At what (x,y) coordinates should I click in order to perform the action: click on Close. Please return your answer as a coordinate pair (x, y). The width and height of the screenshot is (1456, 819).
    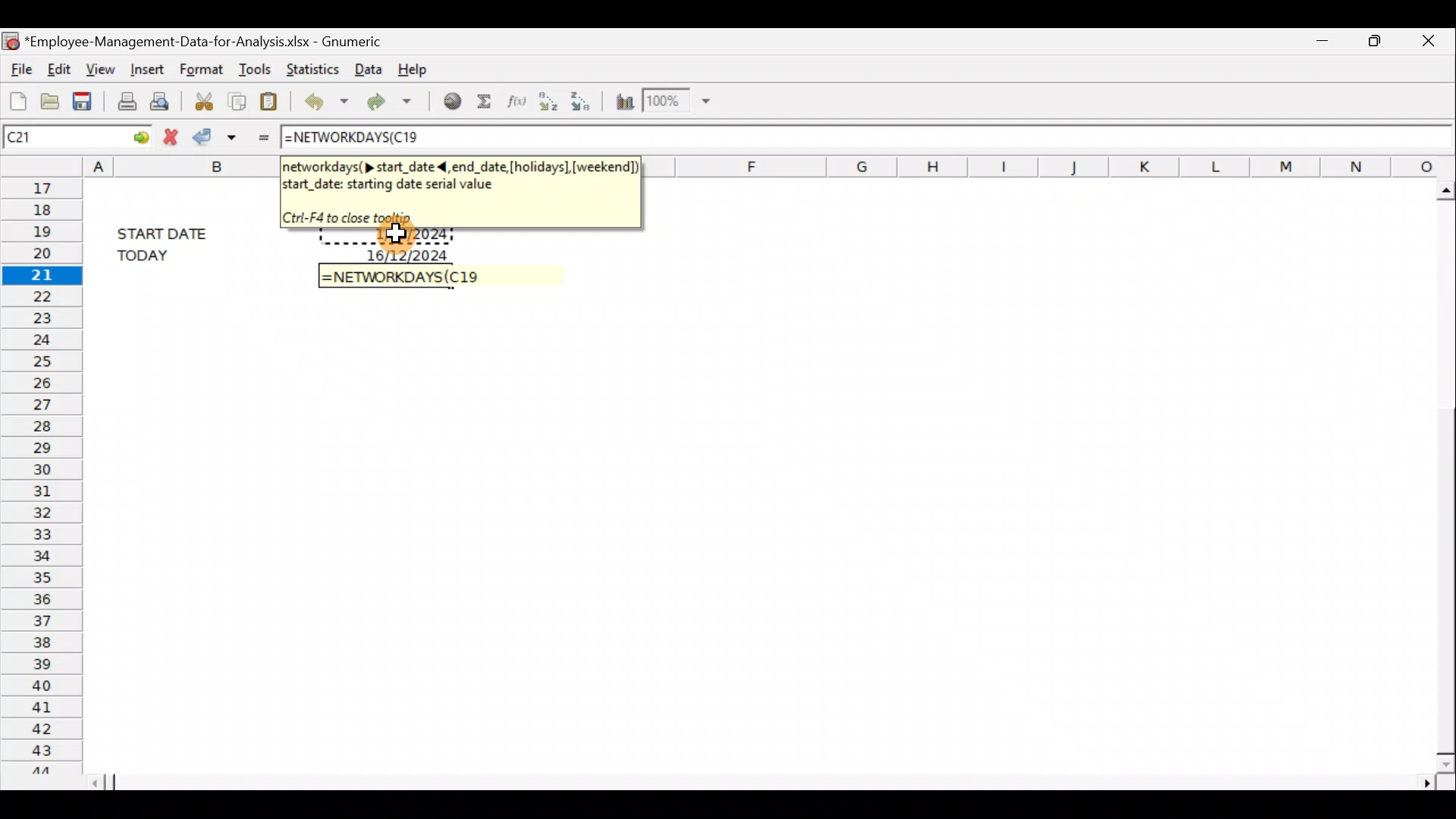
    Looking at the image, I should click on (1425, 42).